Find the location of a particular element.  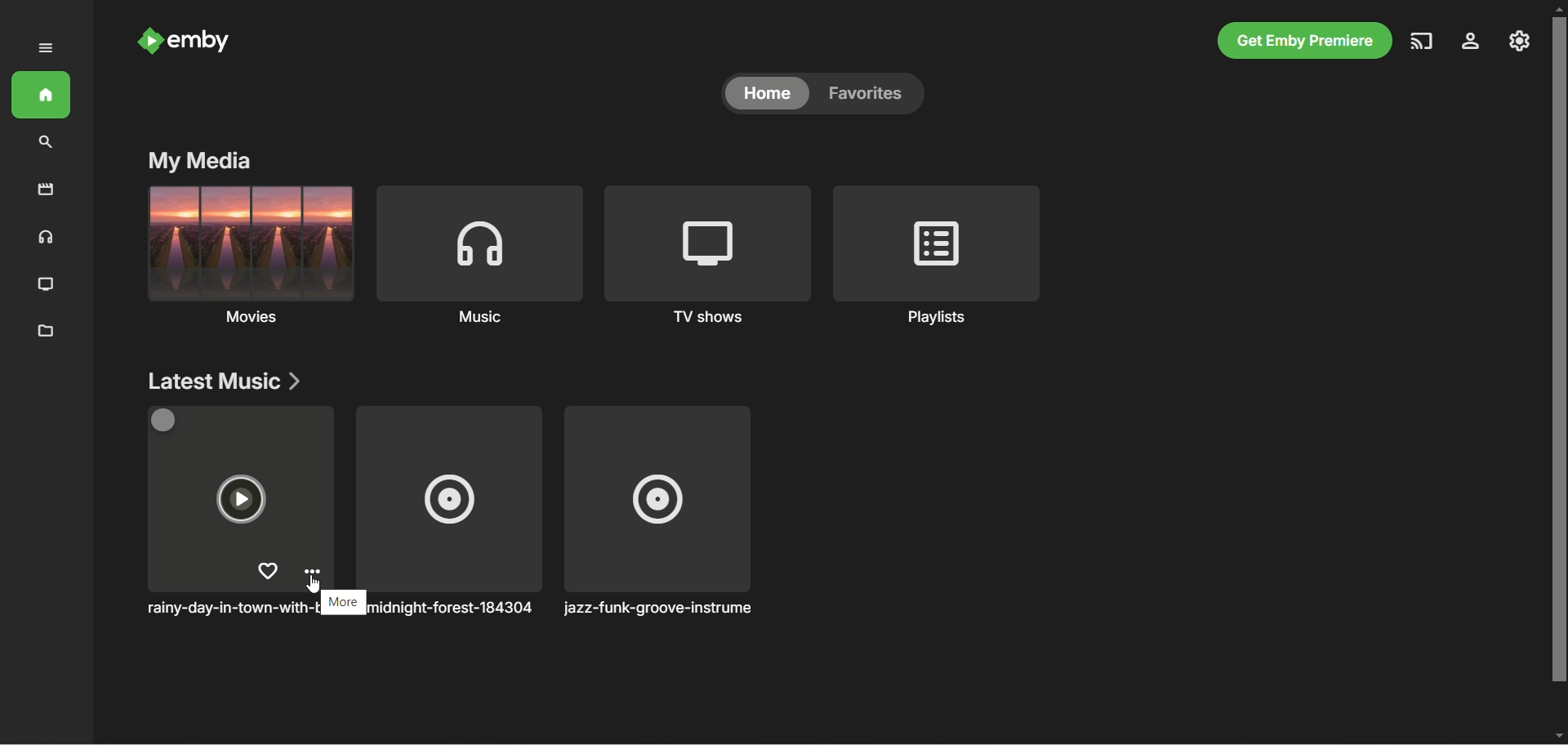

search is located at coordinates (47, 144).